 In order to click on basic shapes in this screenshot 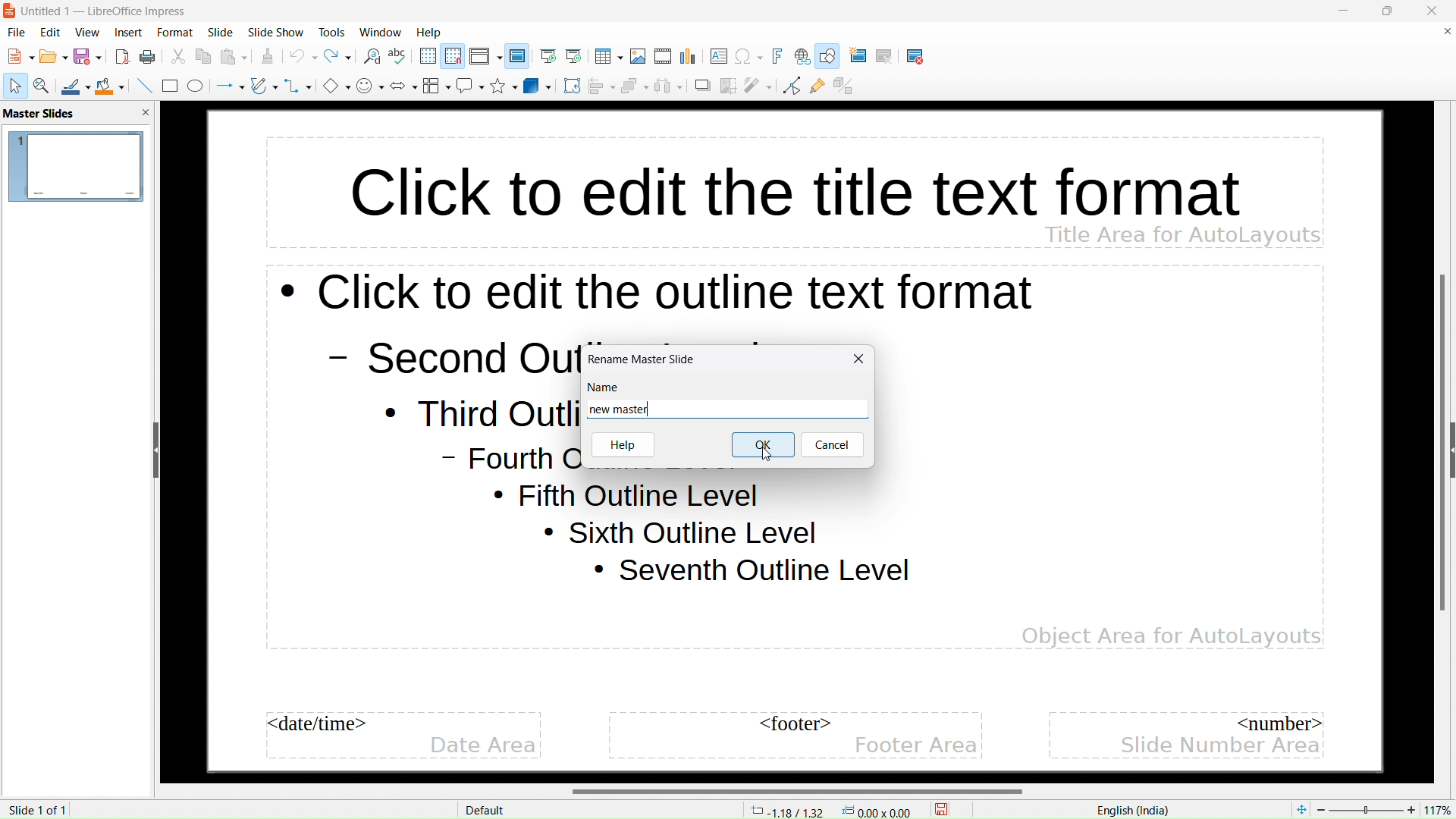, I will do `click(337, 85)`.